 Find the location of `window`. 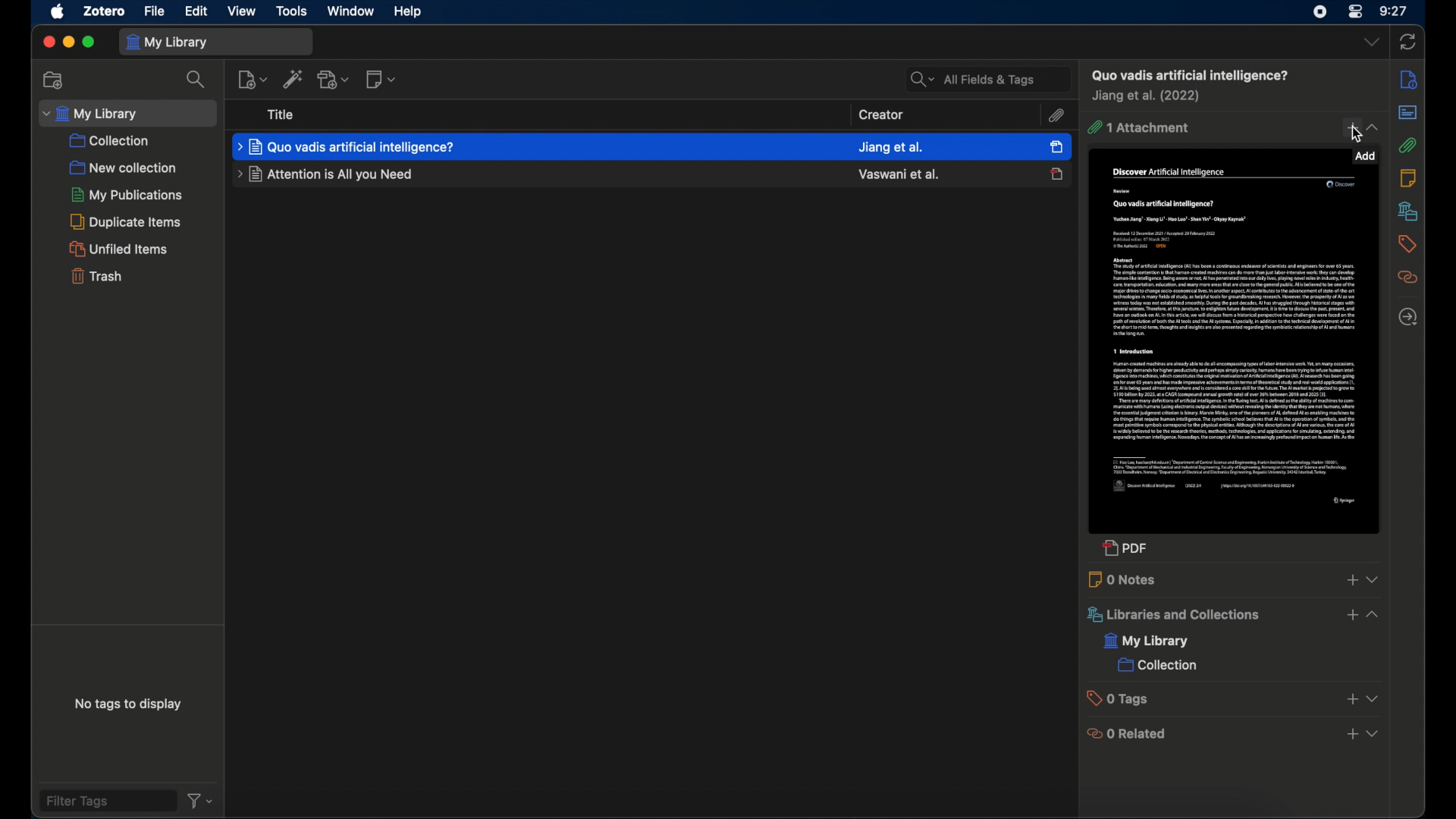

window is located at coordinates (350, 11).